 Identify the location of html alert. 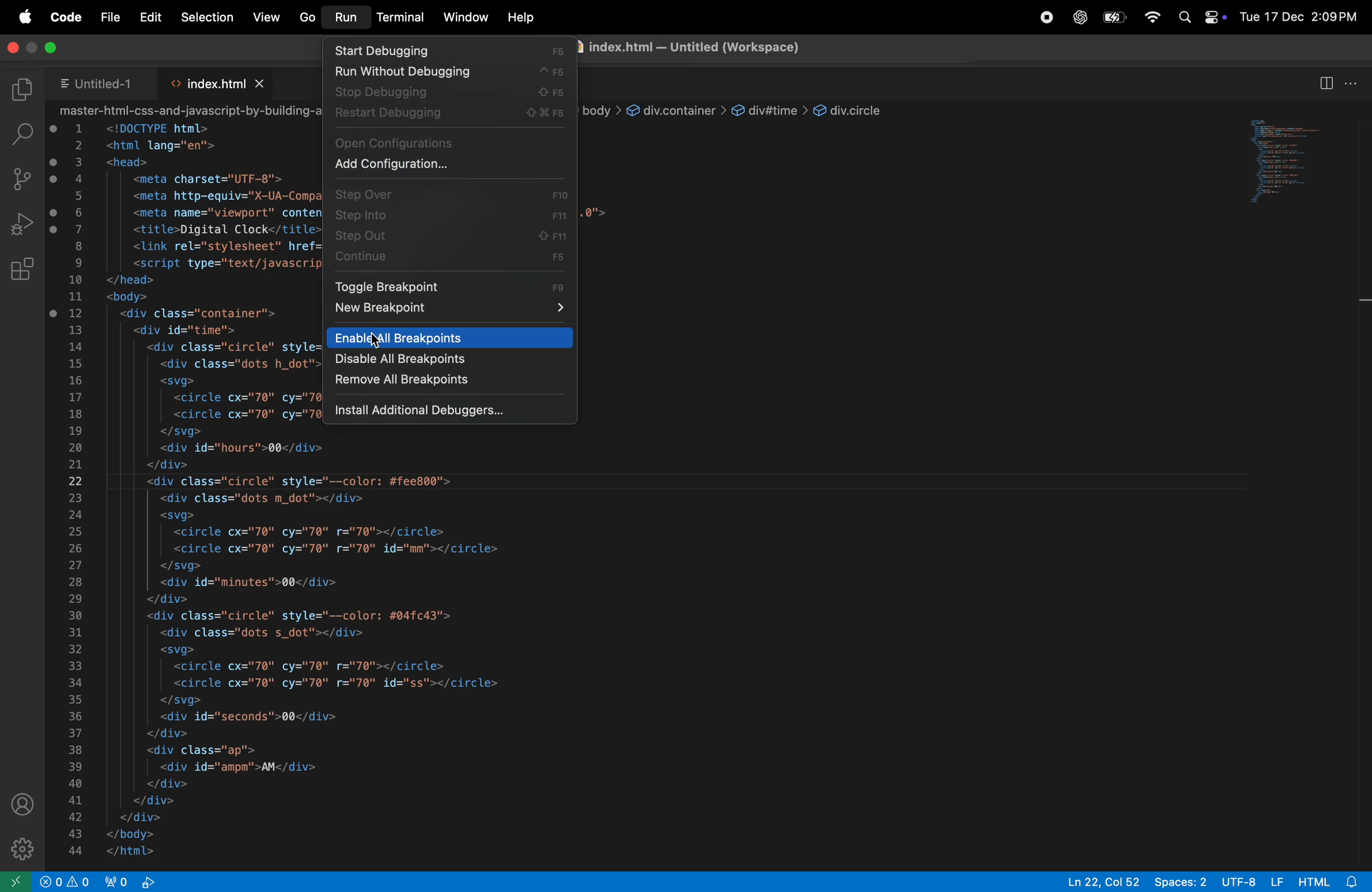
(1332, 880).